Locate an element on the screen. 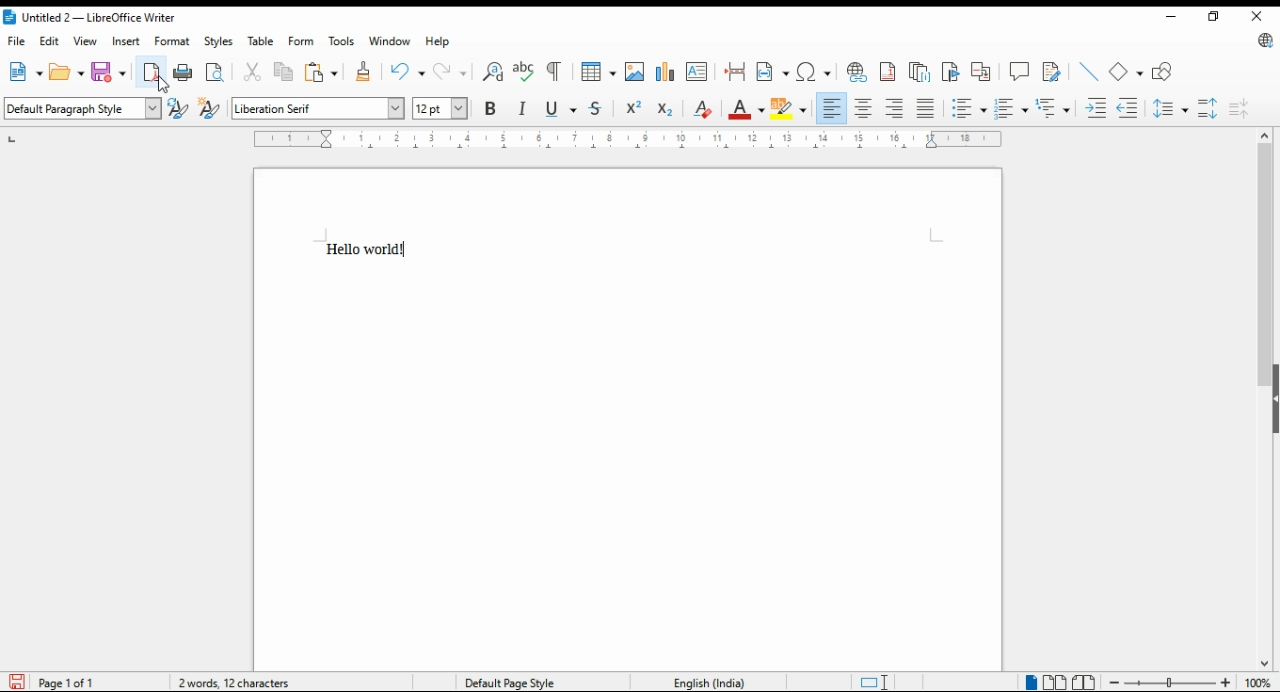 The image size is (1280, 692). insert special characters is located at coordinates (813, 72).